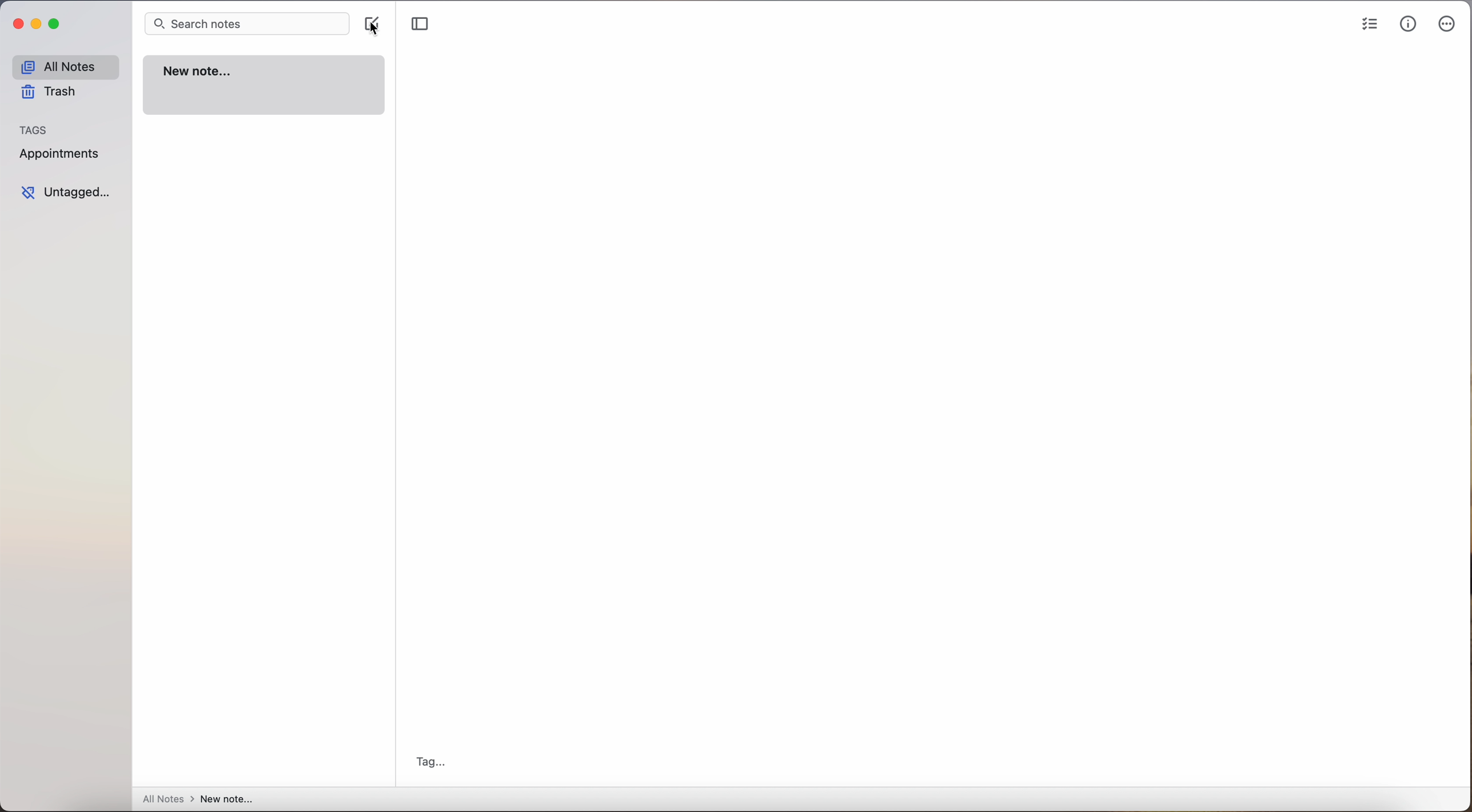 The width and height of the screenshot is (1472, 812). What do you see at coordinates (17, 25) in the screenshot?
I see `close Simplenote` at bounding box center [17, 25].